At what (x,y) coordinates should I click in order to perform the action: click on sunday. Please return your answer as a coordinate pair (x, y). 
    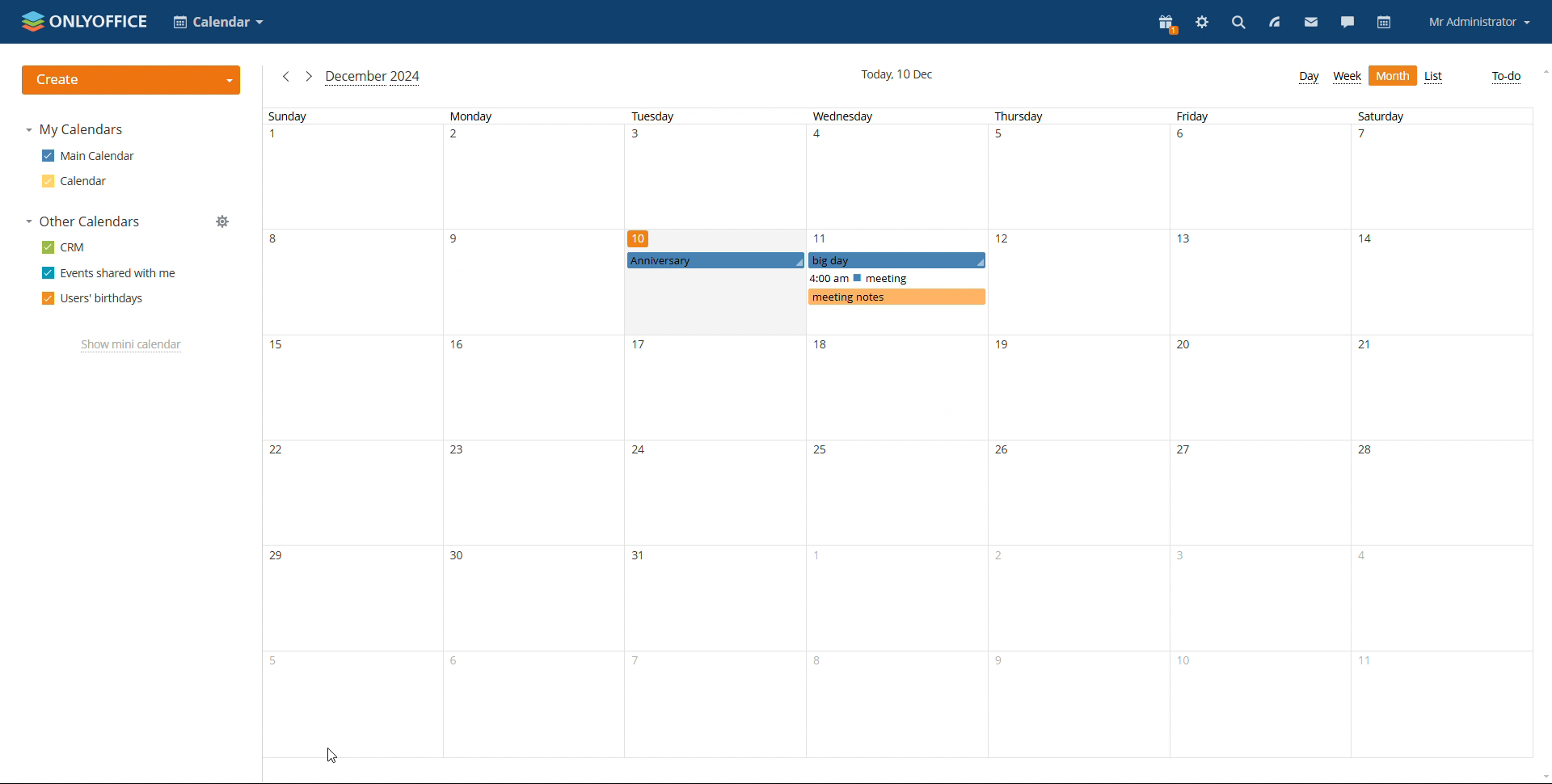
    Looking at the image, I should click on (352, 432).